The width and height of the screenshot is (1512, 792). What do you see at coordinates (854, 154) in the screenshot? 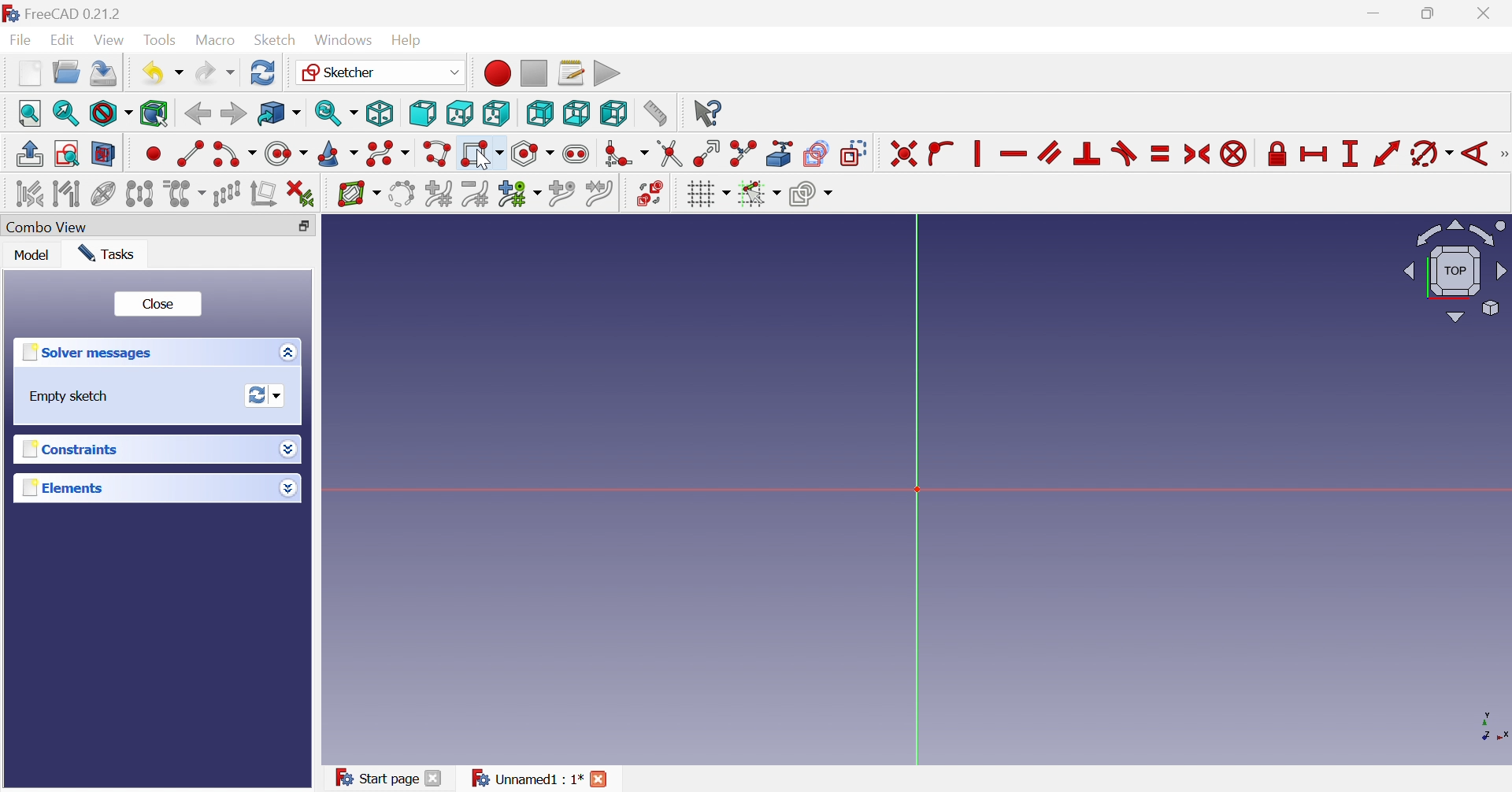
I see `Toggle construction geometry` at bounding box center [854, 154].